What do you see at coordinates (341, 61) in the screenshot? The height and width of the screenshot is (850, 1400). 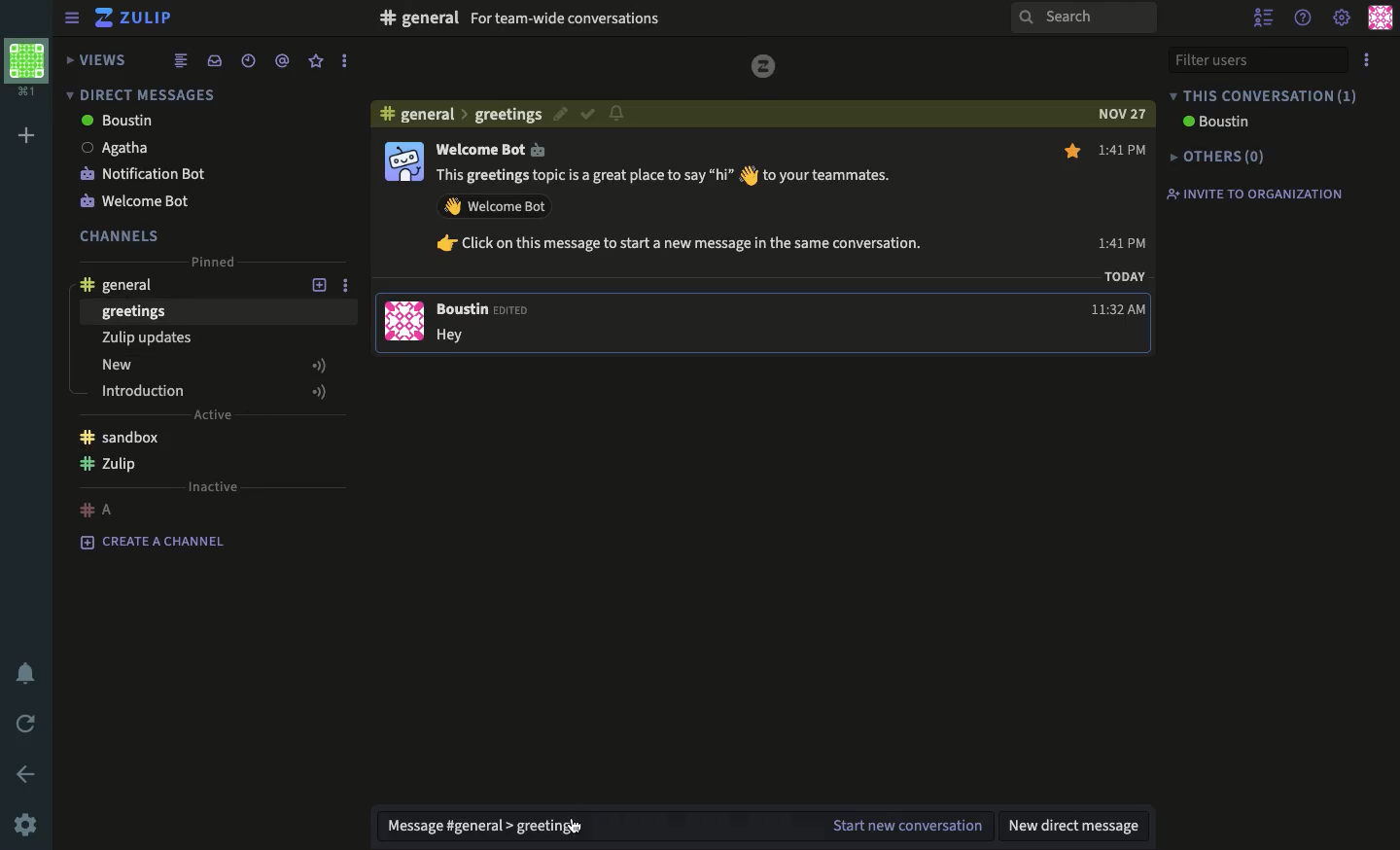 I see `options` at bounding box center [341, 61].